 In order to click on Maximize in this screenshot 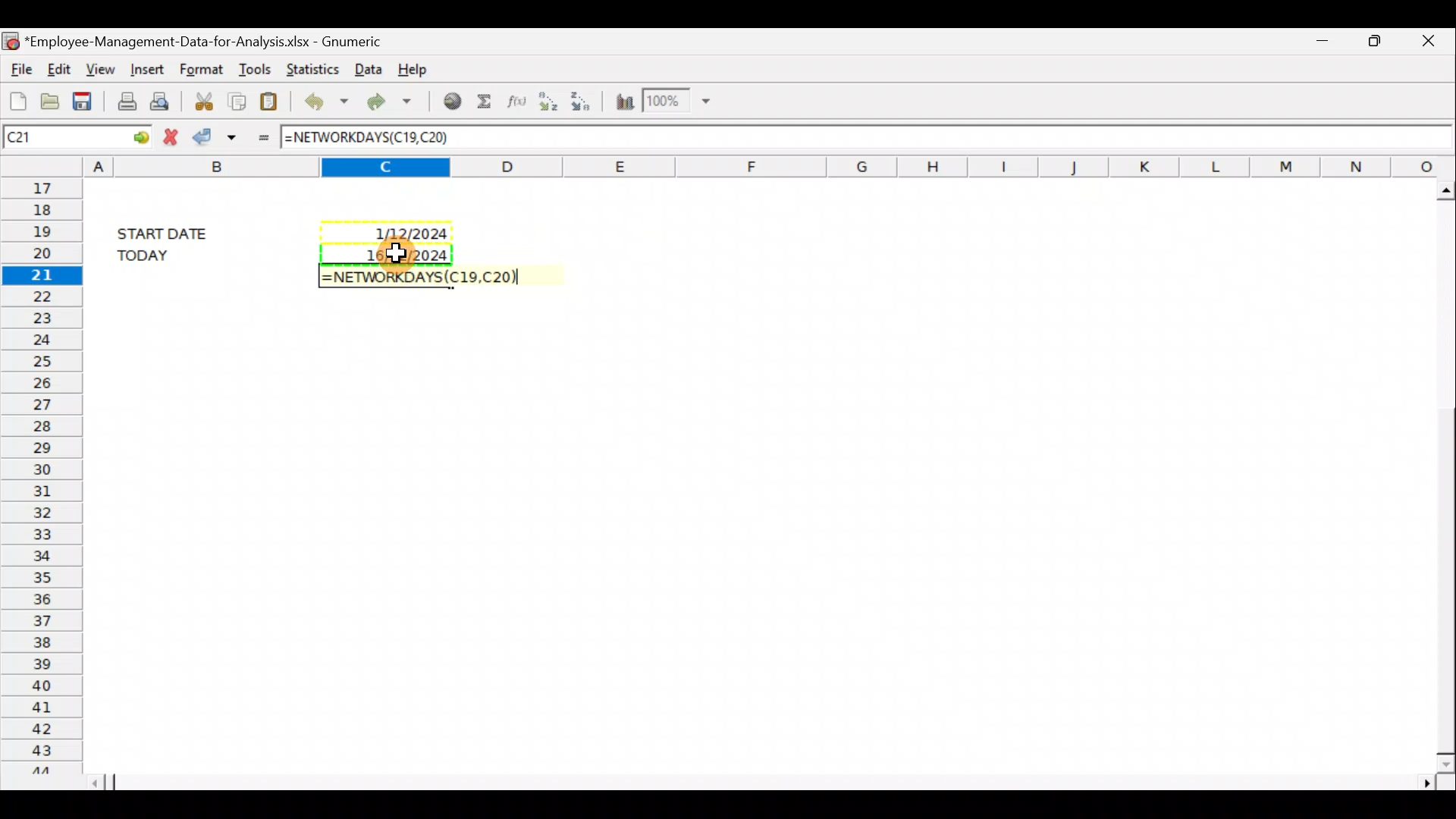, I will do `click(1374, 42)`.